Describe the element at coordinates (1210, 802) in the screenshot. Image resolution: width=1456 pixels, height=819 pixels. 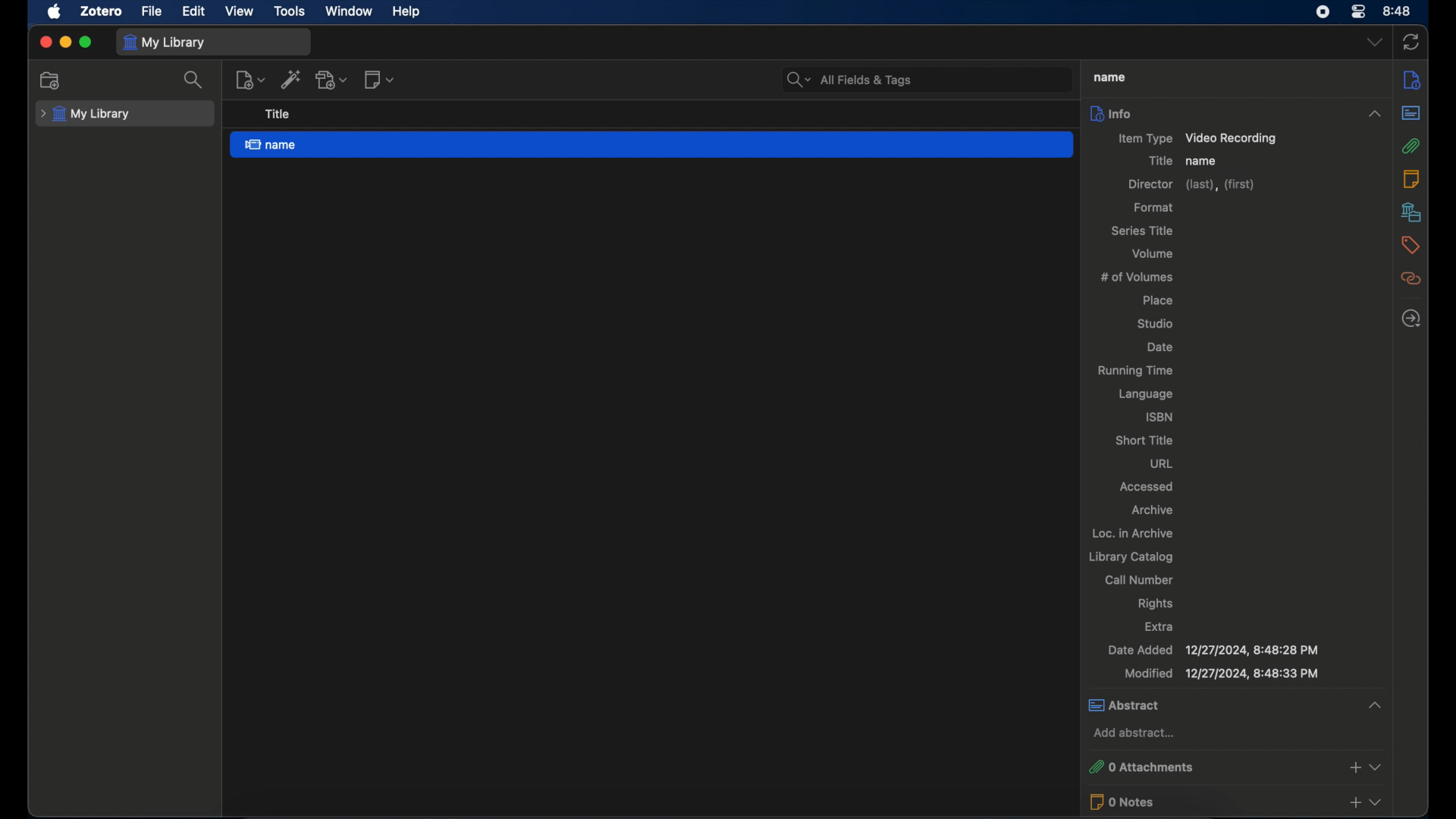
I see `0 notes` at that location.